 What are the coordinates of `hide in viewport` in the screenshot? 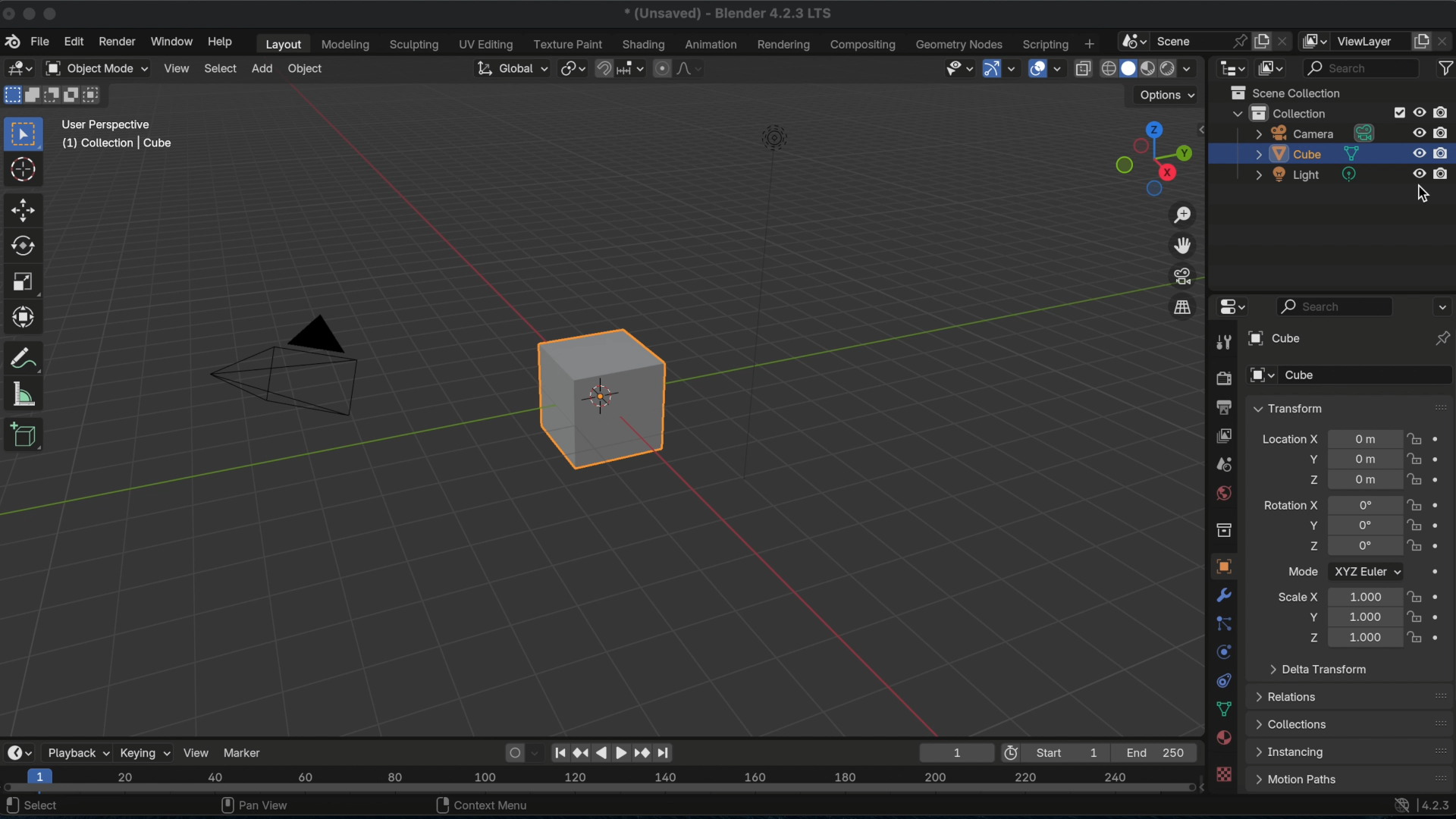 It's located at (1417, 130).